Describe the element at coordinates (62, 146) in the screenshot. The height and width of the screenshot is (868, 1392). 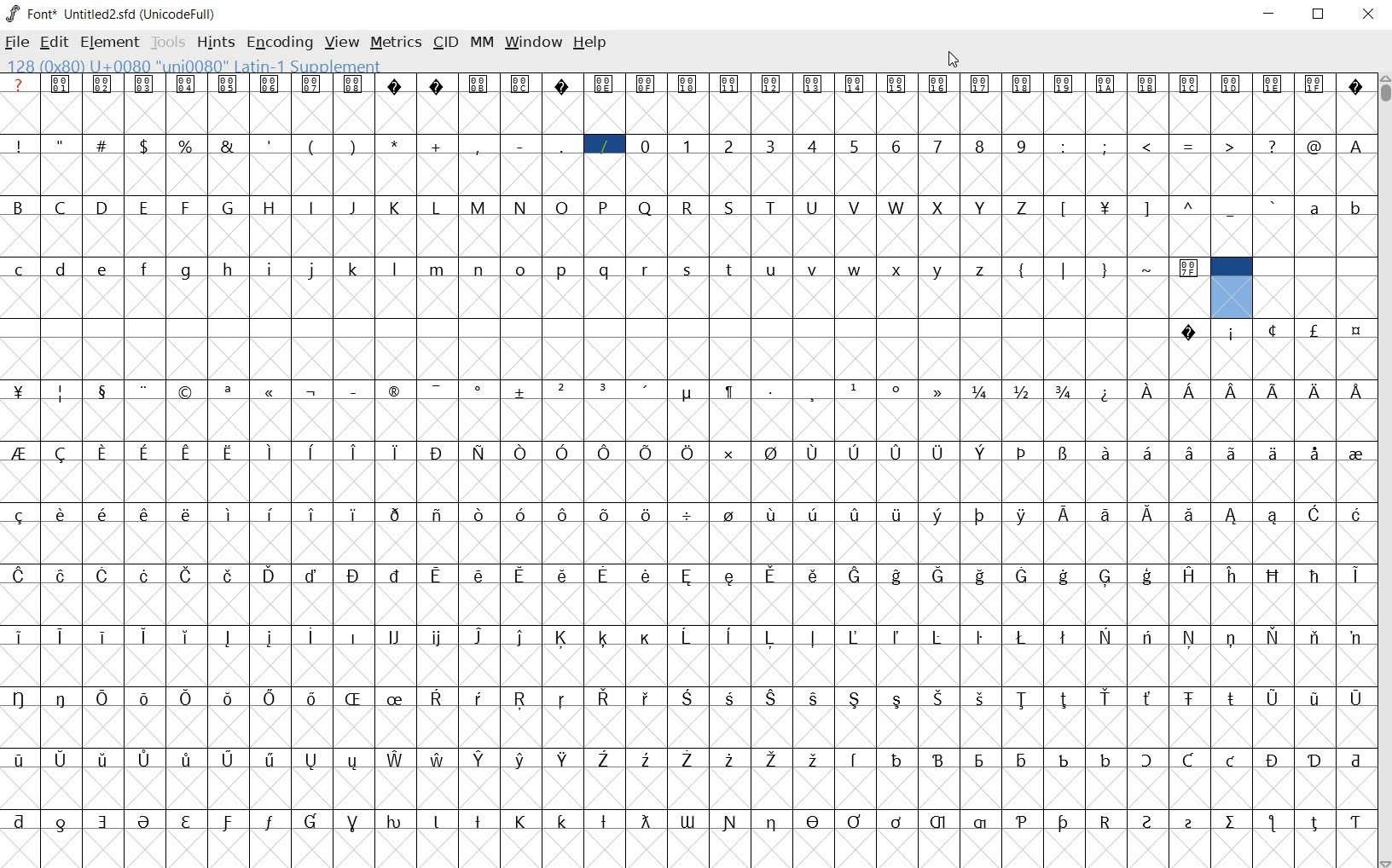
I see `"` at that location.